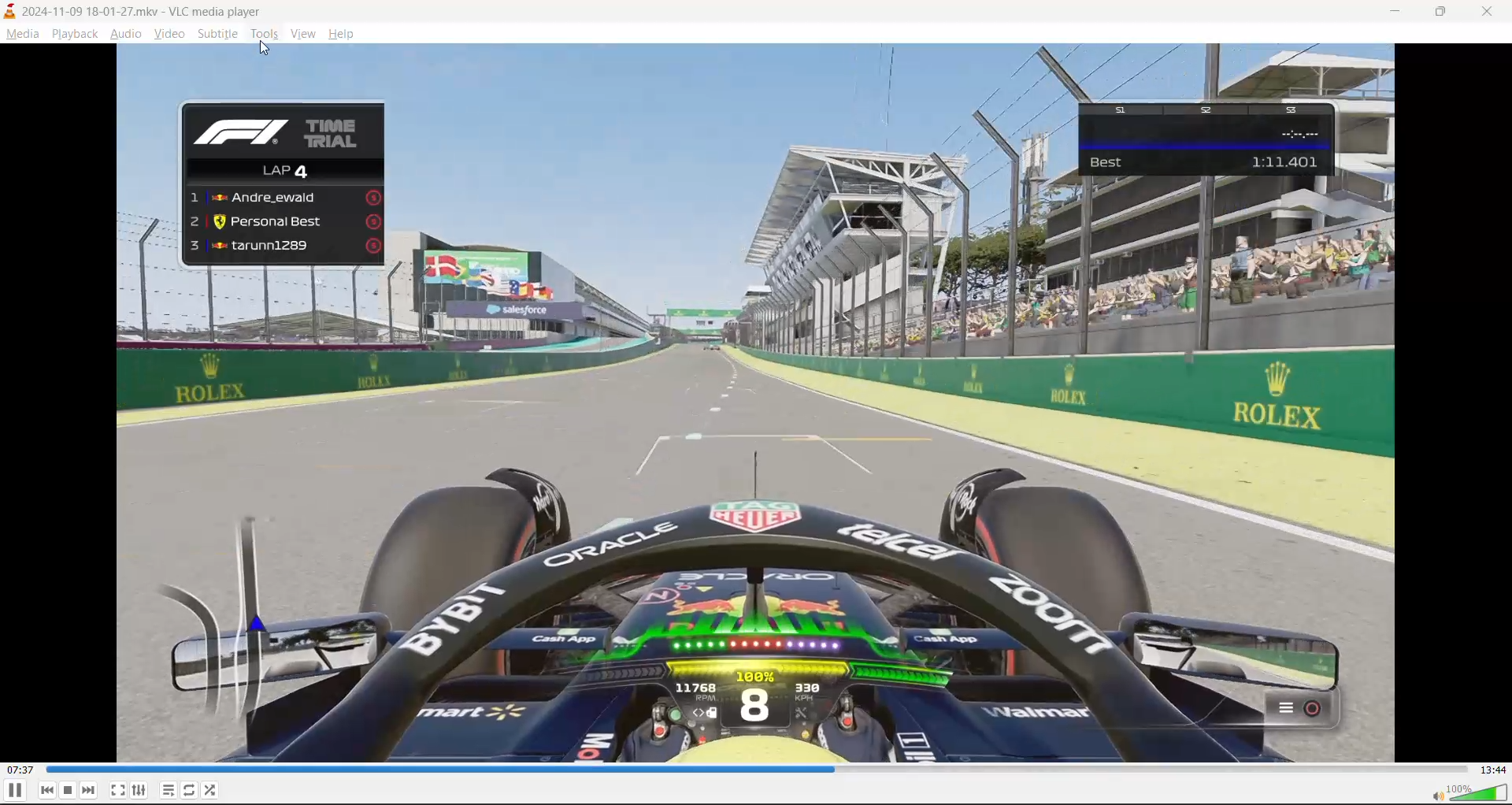 This screenshot has width=1512, height=805. Describe the element at coordinates (343, 33) in the screenshot. I see `help` at that location.